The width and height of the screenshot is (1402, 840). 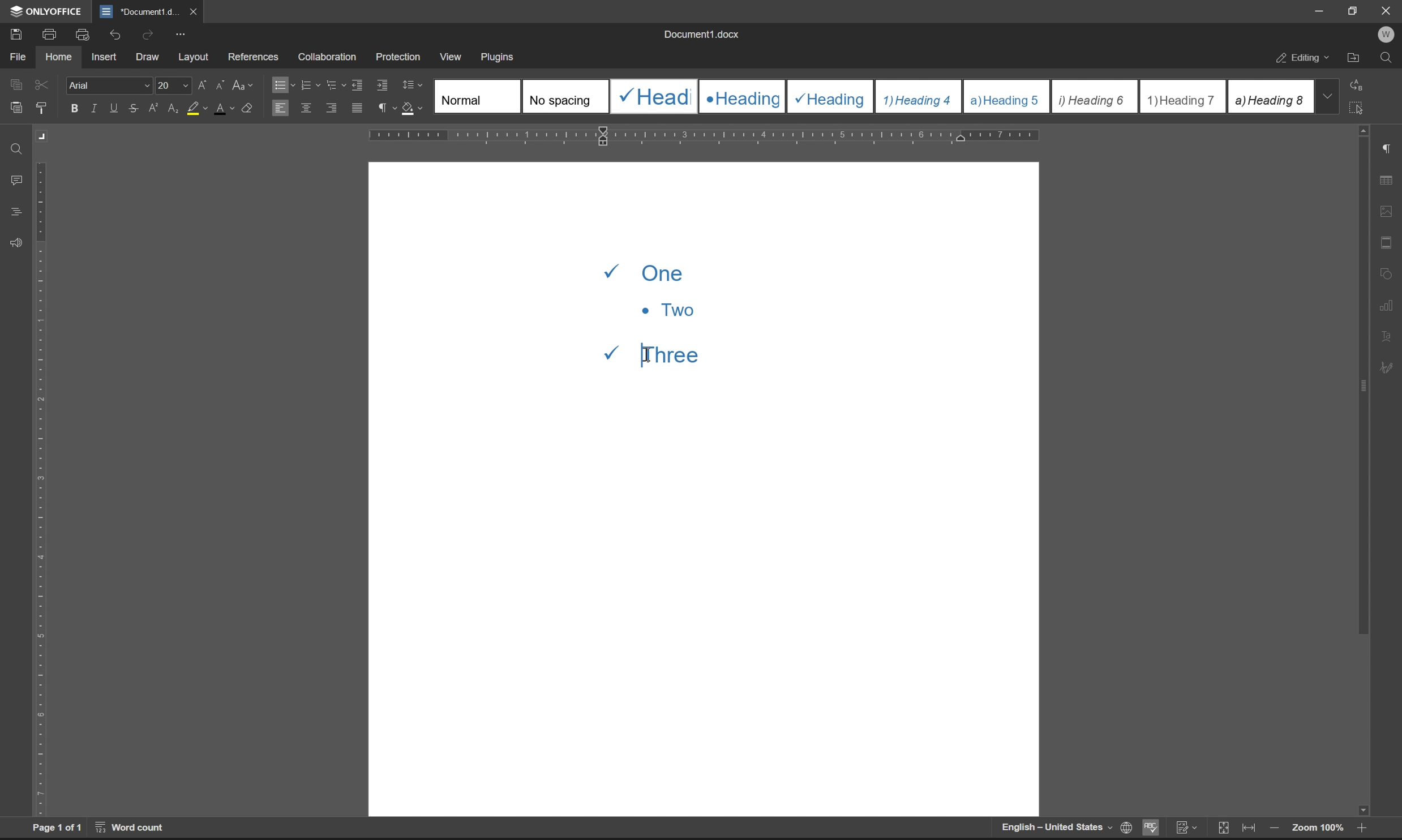 I want to click on ruler, so click(x=705, y=136).